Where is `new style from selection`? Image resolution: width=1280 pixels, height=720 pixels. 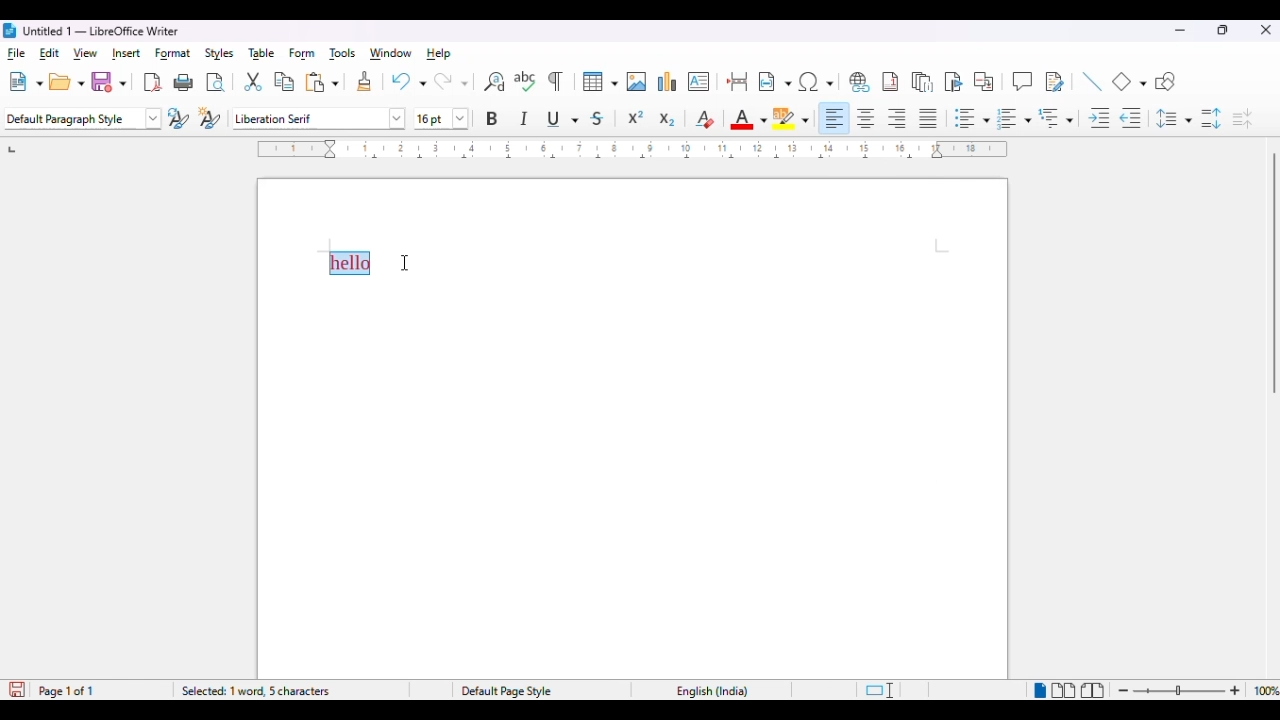
new style from selection is located at coordinates (210, 118).